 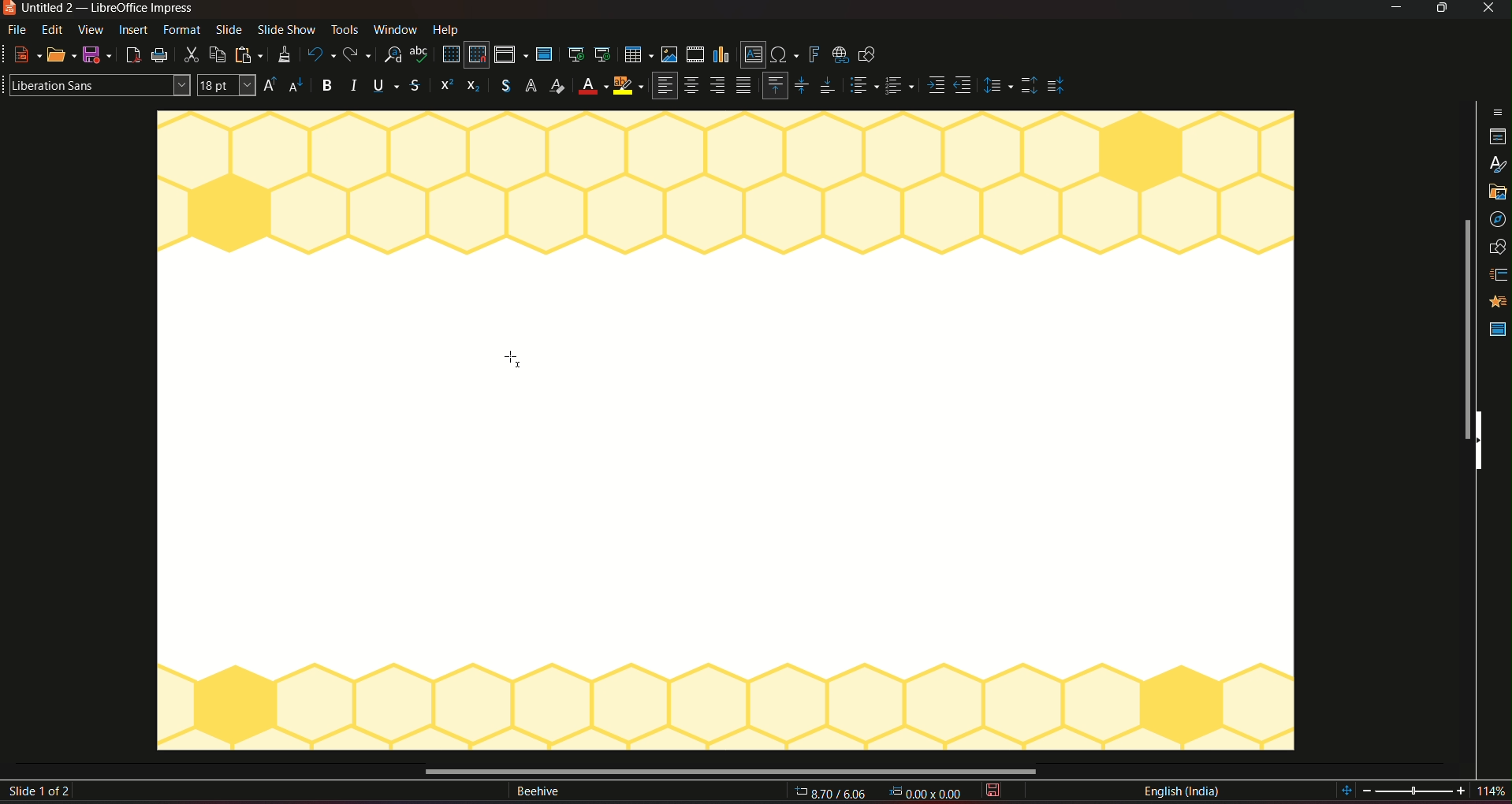 I want to click on format, so click(x=182, y=30).